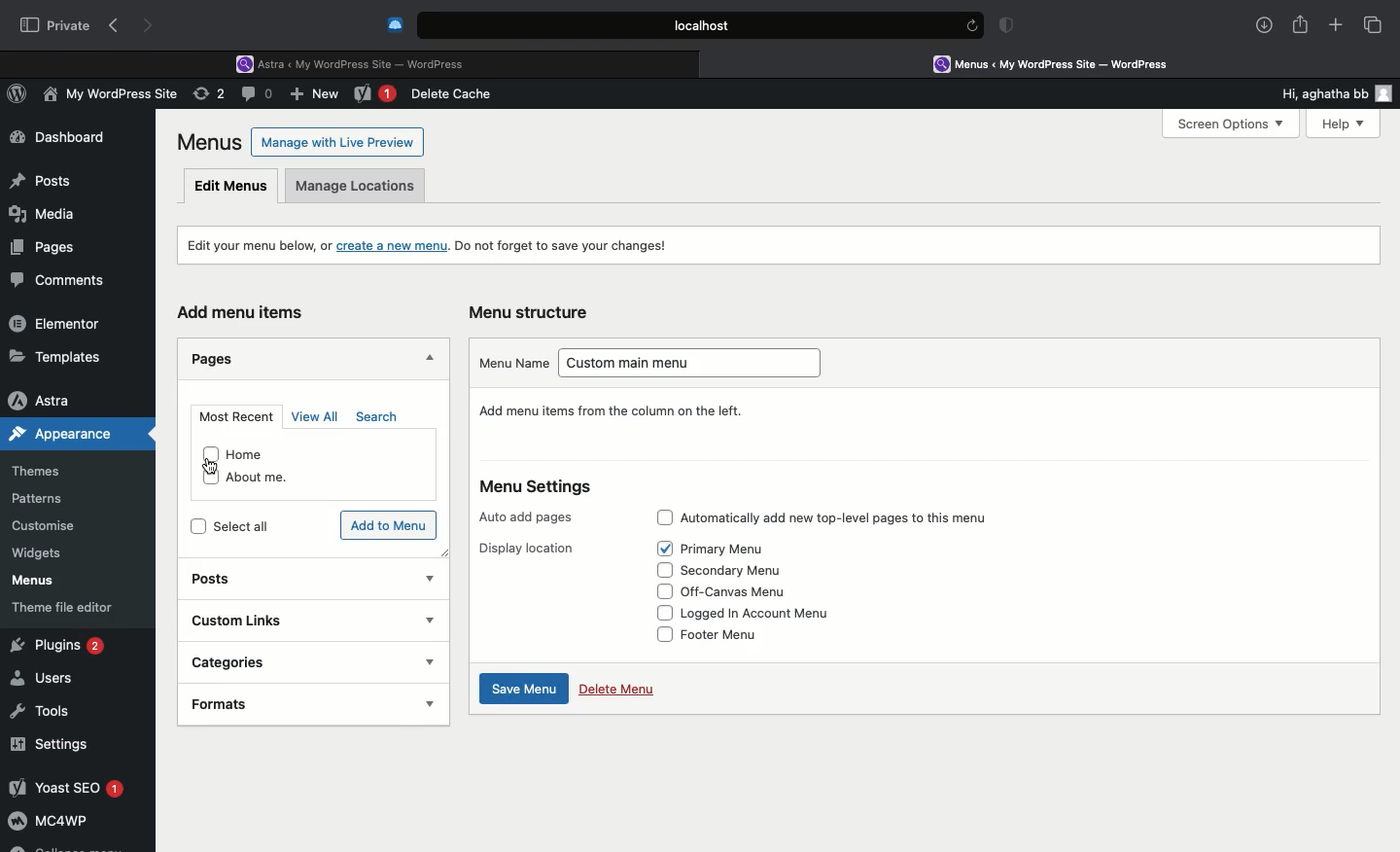 Image resolution: width=1400 pixels, height=852 pixels. What do you see at coordinates (118, 26) in the screenshot?
I see `Back` at bounding box center [118, 26].